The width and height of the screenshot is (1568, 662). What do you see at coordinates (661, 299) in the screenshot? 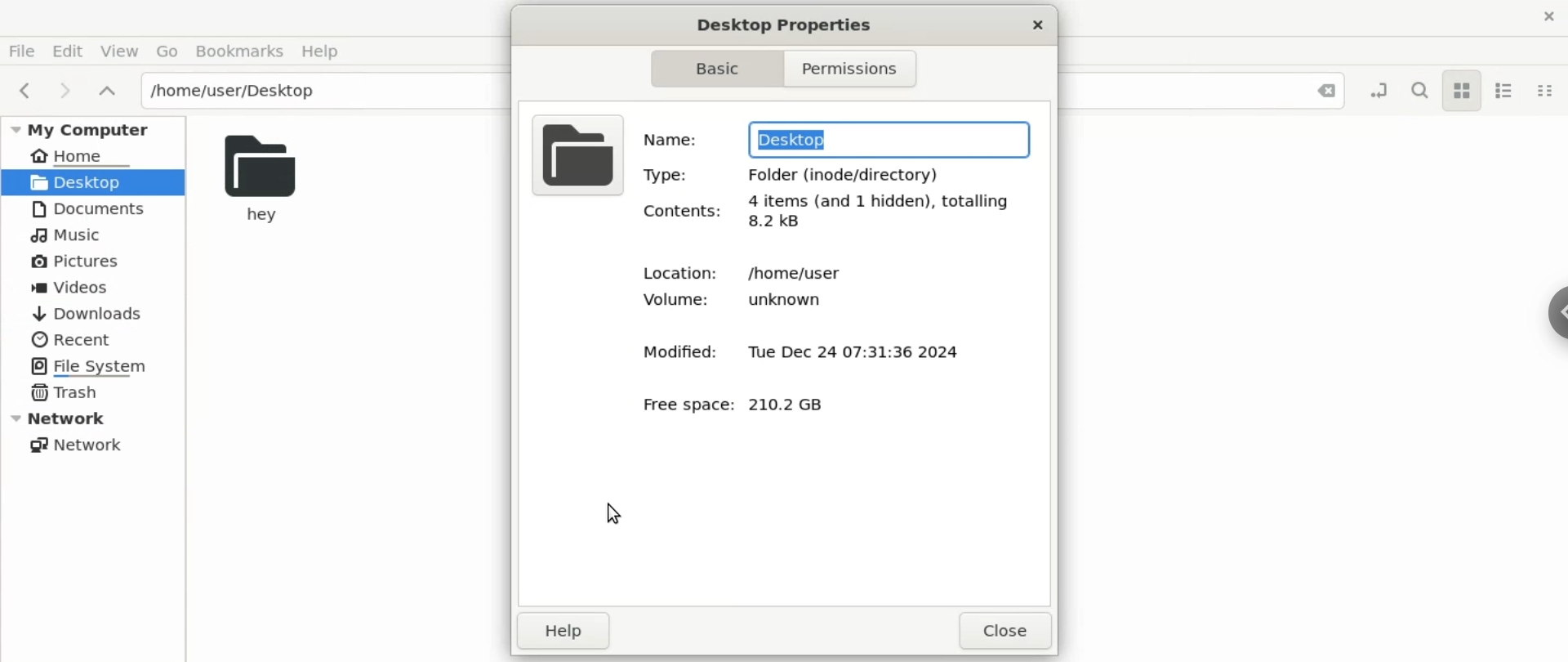
I see `volume` at bounding box center [661, 299].